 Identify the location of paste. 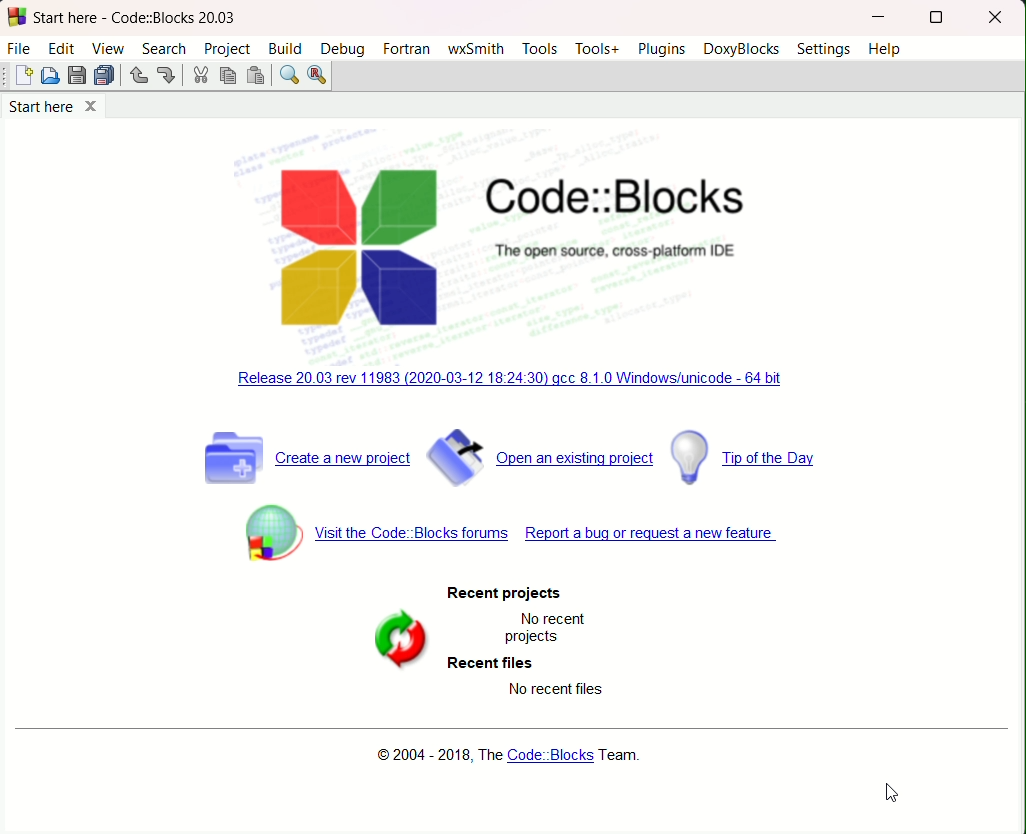
(254, 77).